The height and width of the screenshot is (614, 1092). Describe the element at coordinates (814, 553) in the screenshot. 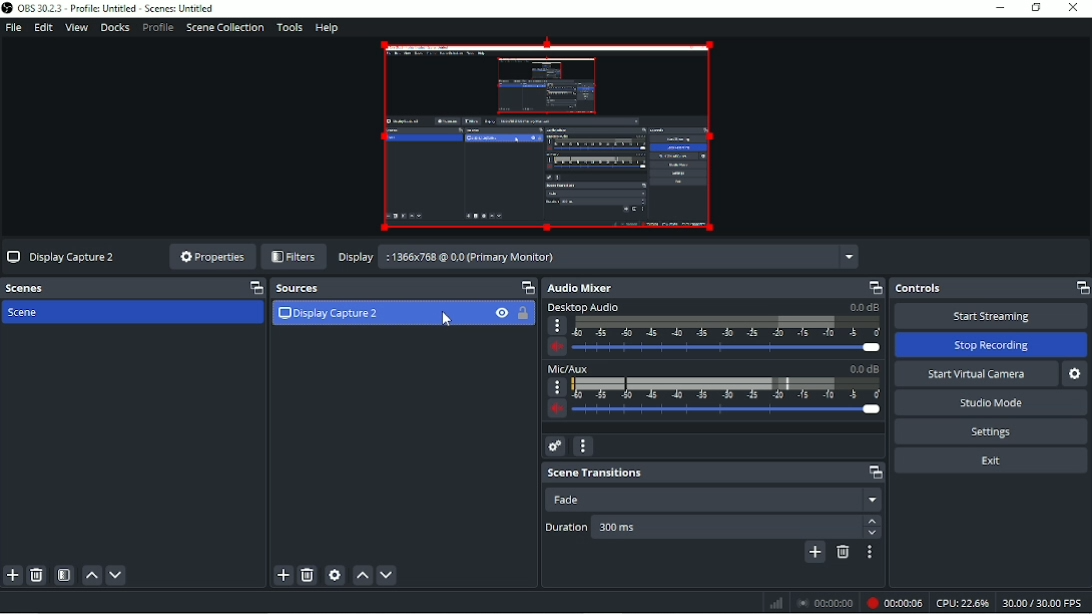

I see `Add configurable transition` at that location.